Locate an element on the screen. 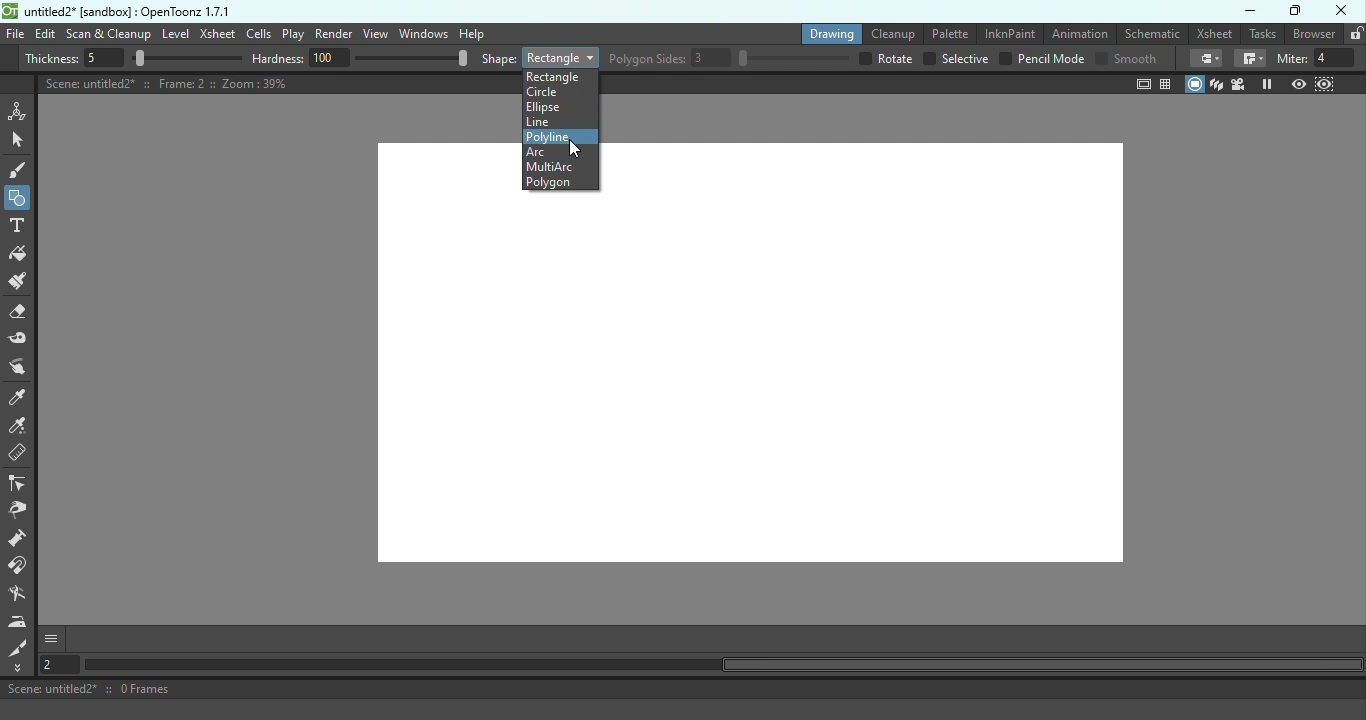 Image resolution: width=1366 pixels, height=720 pixels. Paint Brush tool is located at coordinates (24, 283).